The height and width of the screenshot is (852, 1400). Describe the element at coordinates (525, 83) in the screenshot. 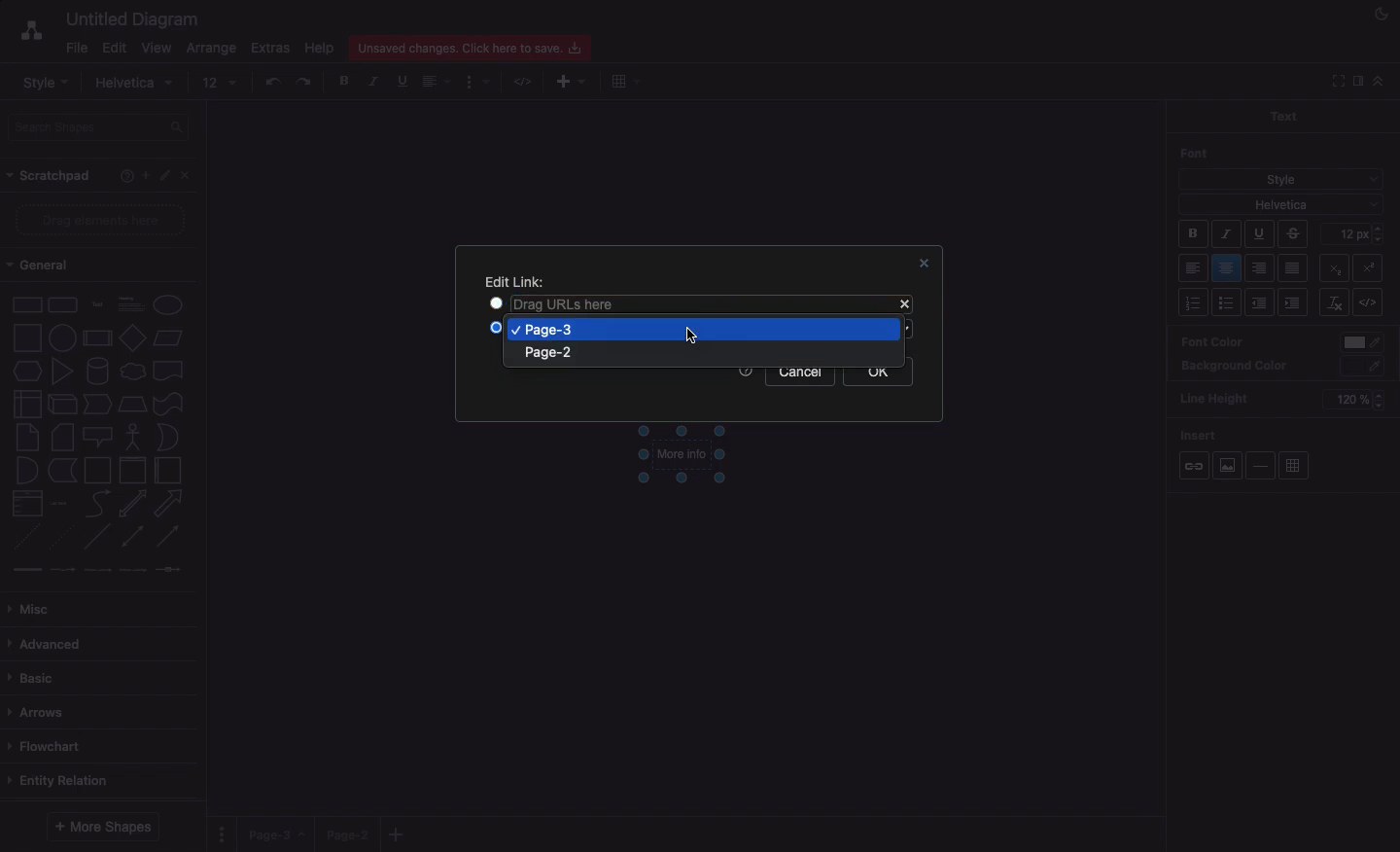

I see `HTML` at that location.